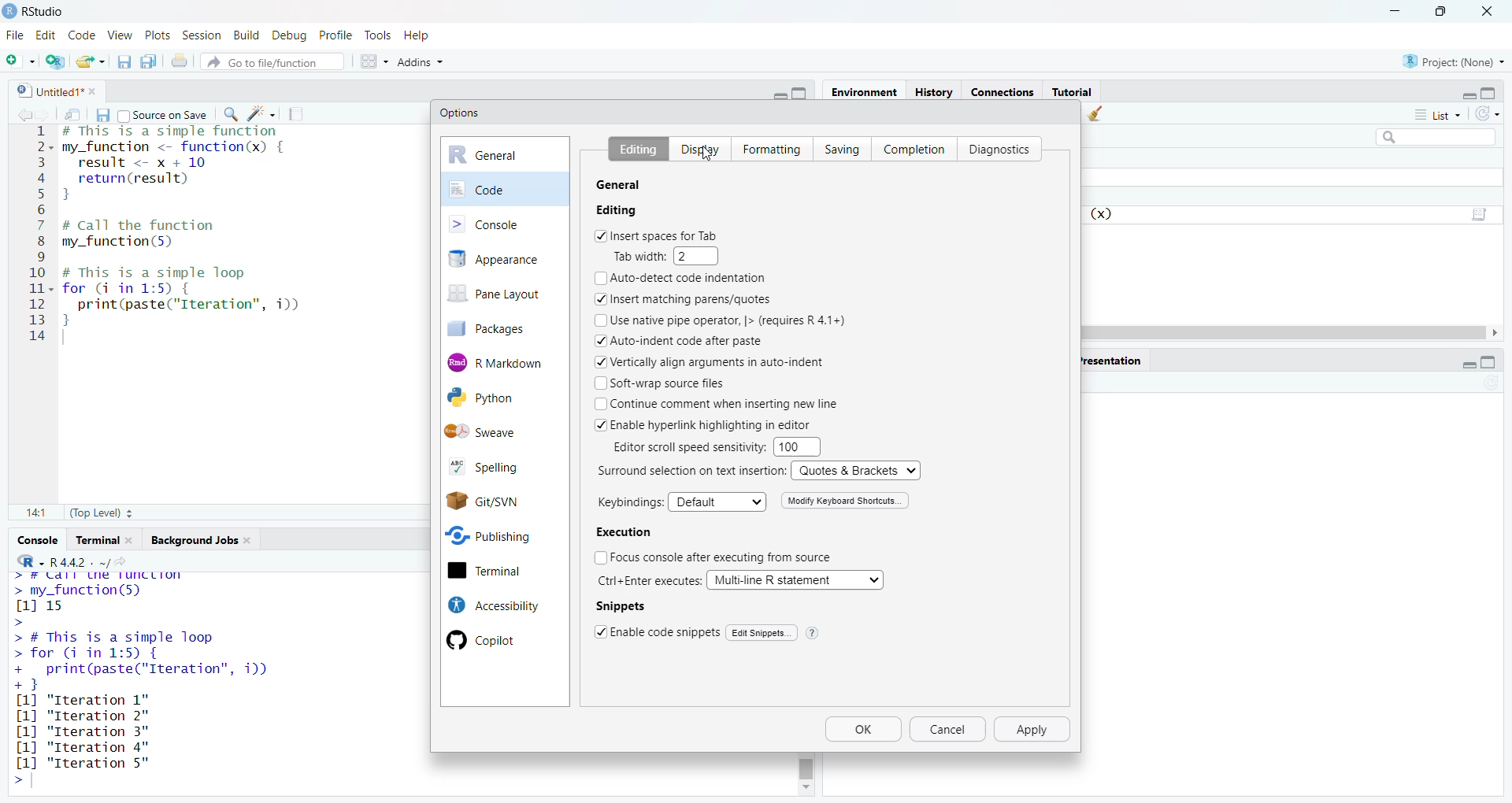 The width and height of the screenshot is (1512, 803). Describe the element at coordinates (15, 35) in the screenshot. I see `File` at that location.